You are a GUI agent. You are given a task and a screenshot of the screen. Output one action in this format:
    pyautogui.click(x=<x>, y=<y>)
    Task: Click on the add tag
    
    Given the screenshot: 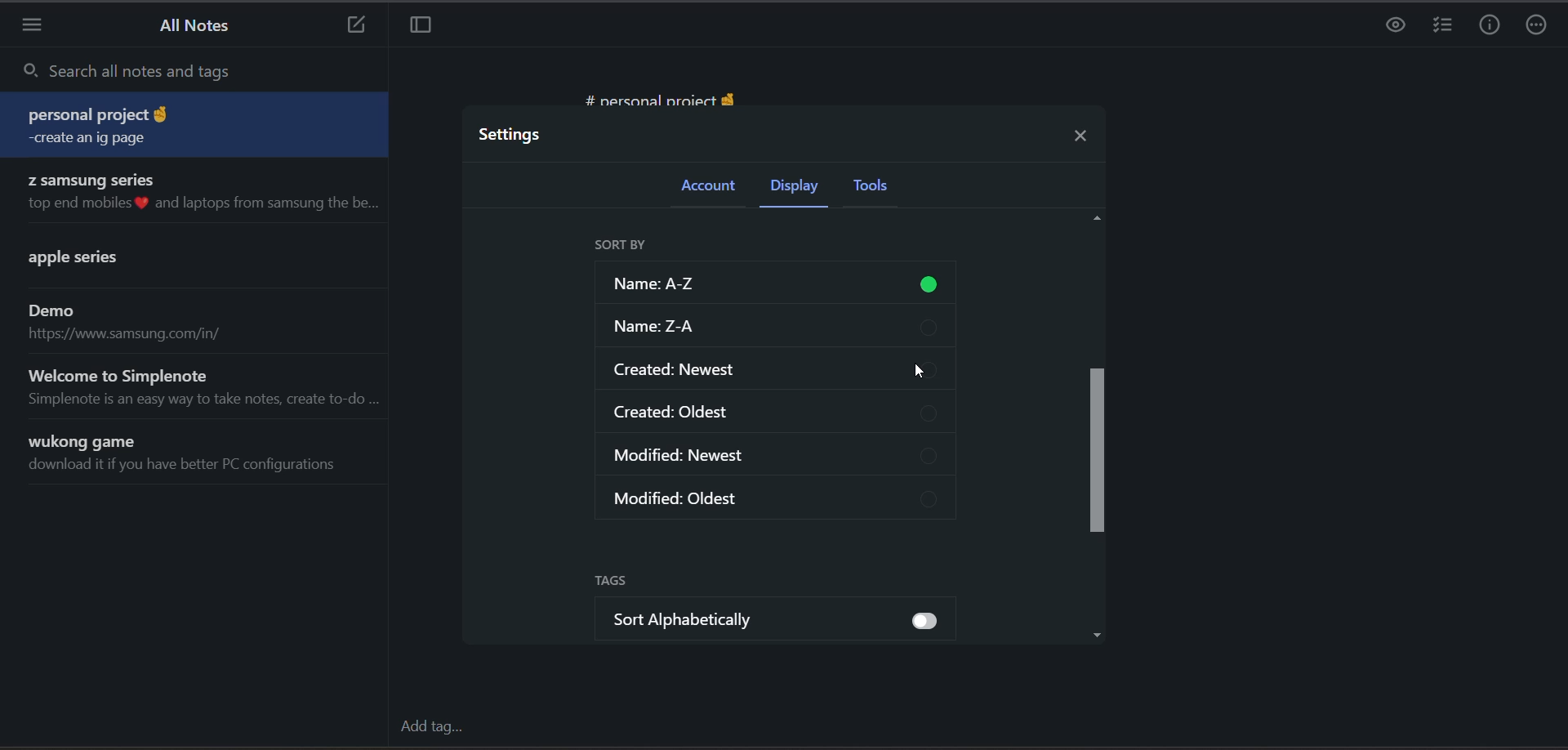 What is the action you would take?
    pyautogui.click(x=434, y=730)
    